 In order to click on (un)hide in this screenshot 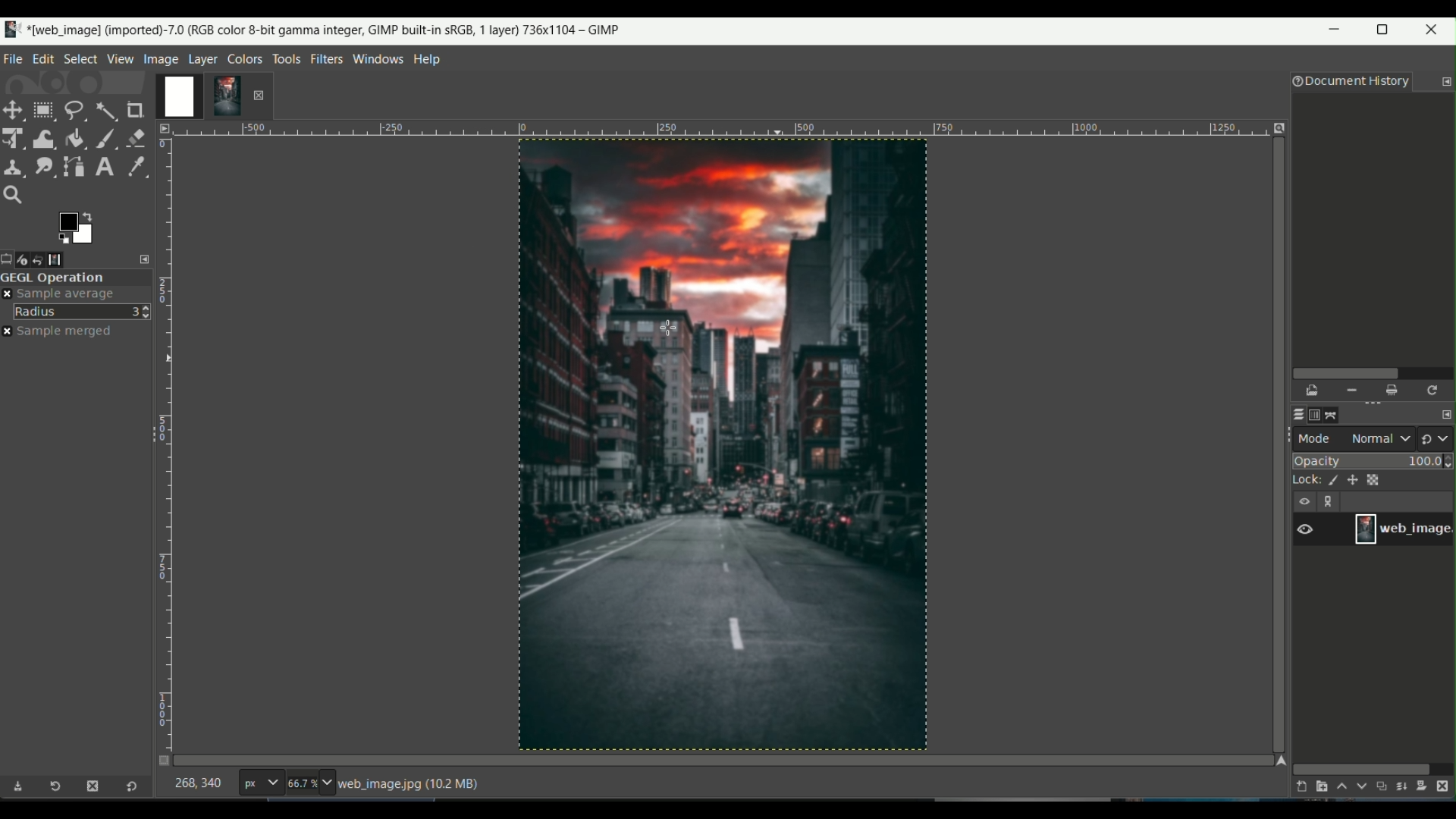, I will do `click(1304, 501)`.